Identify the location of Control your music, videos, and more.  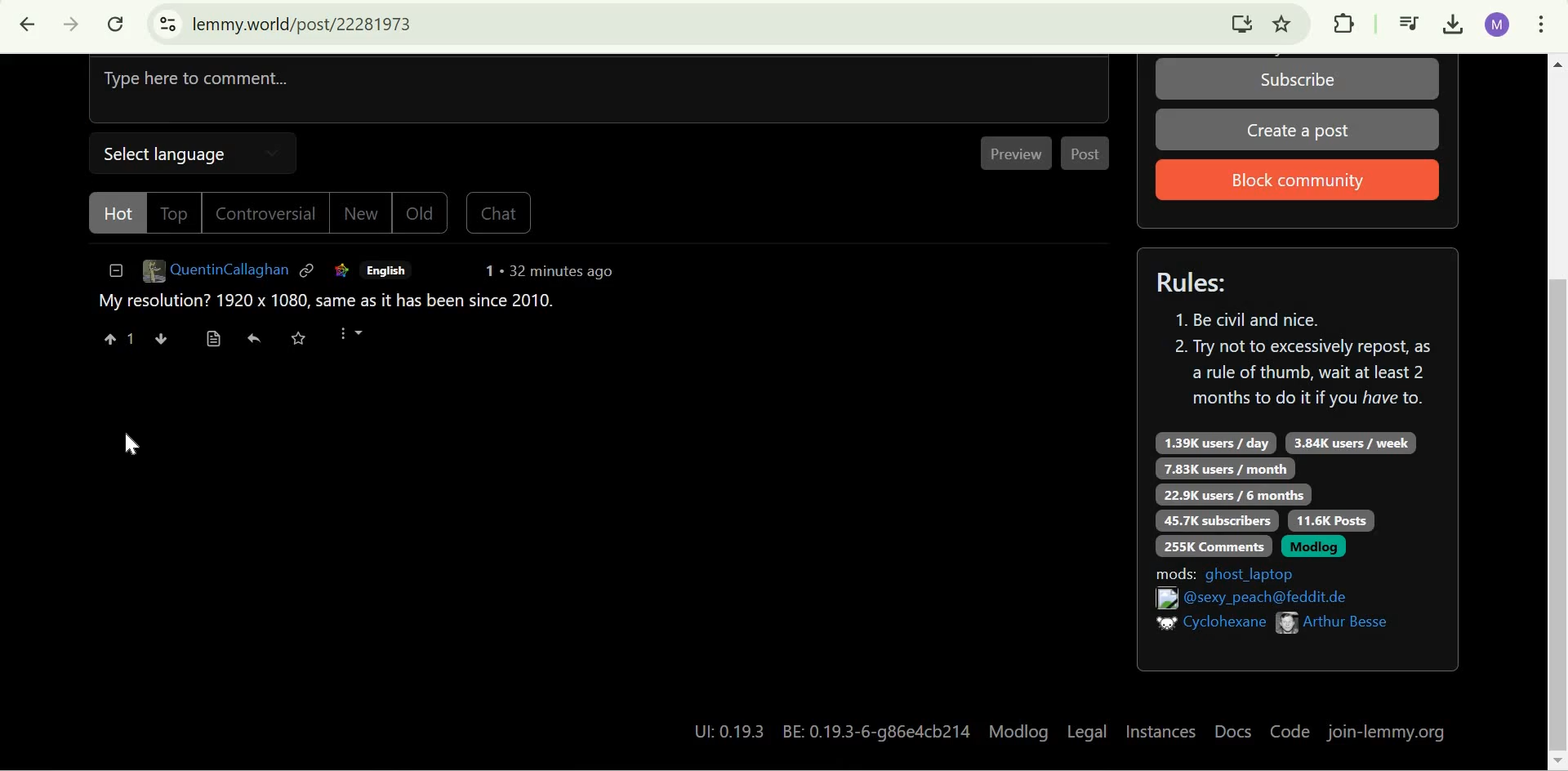
(1410, 25).